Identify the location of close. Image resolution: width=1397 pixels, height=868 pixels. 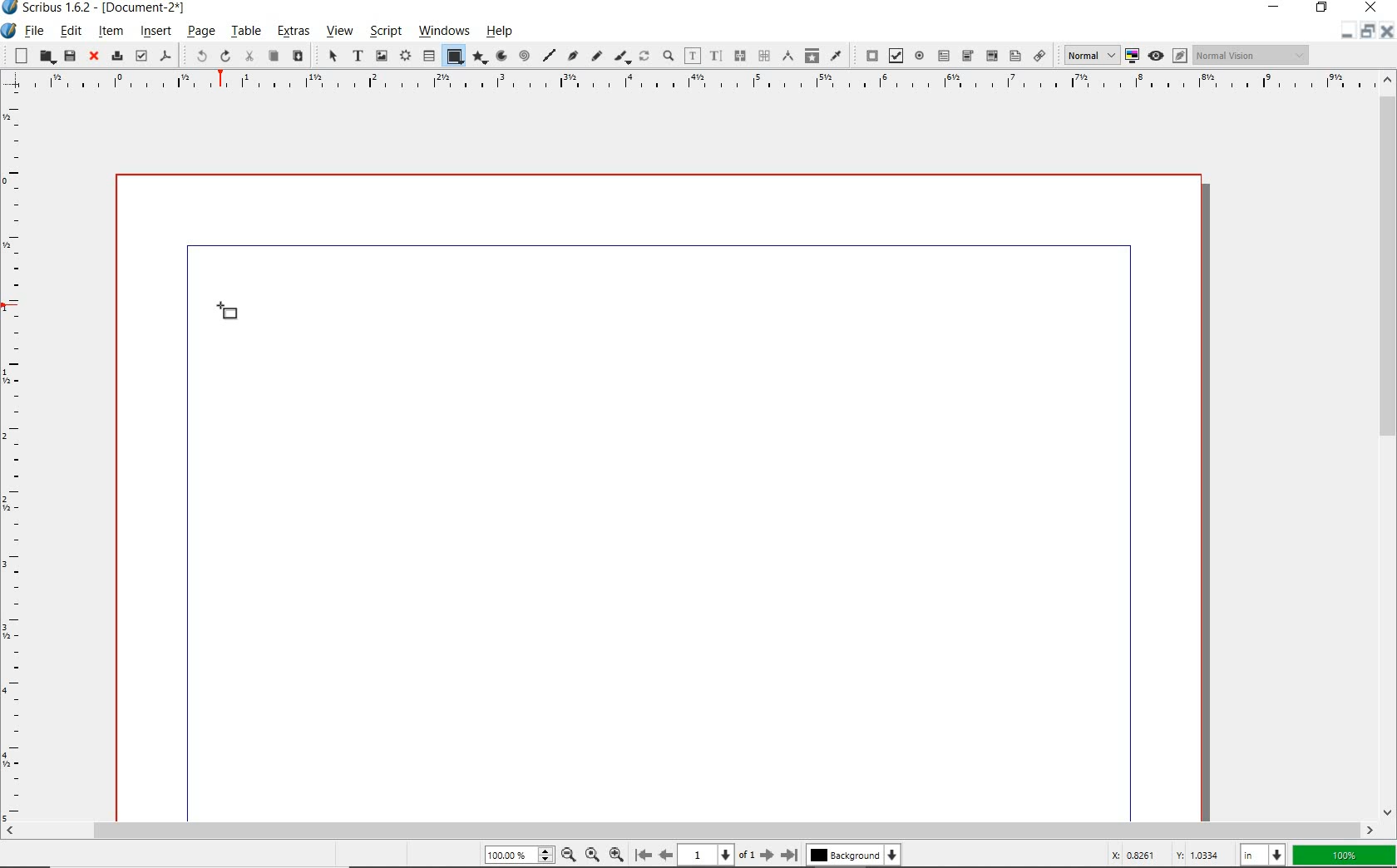
(1389, 32).